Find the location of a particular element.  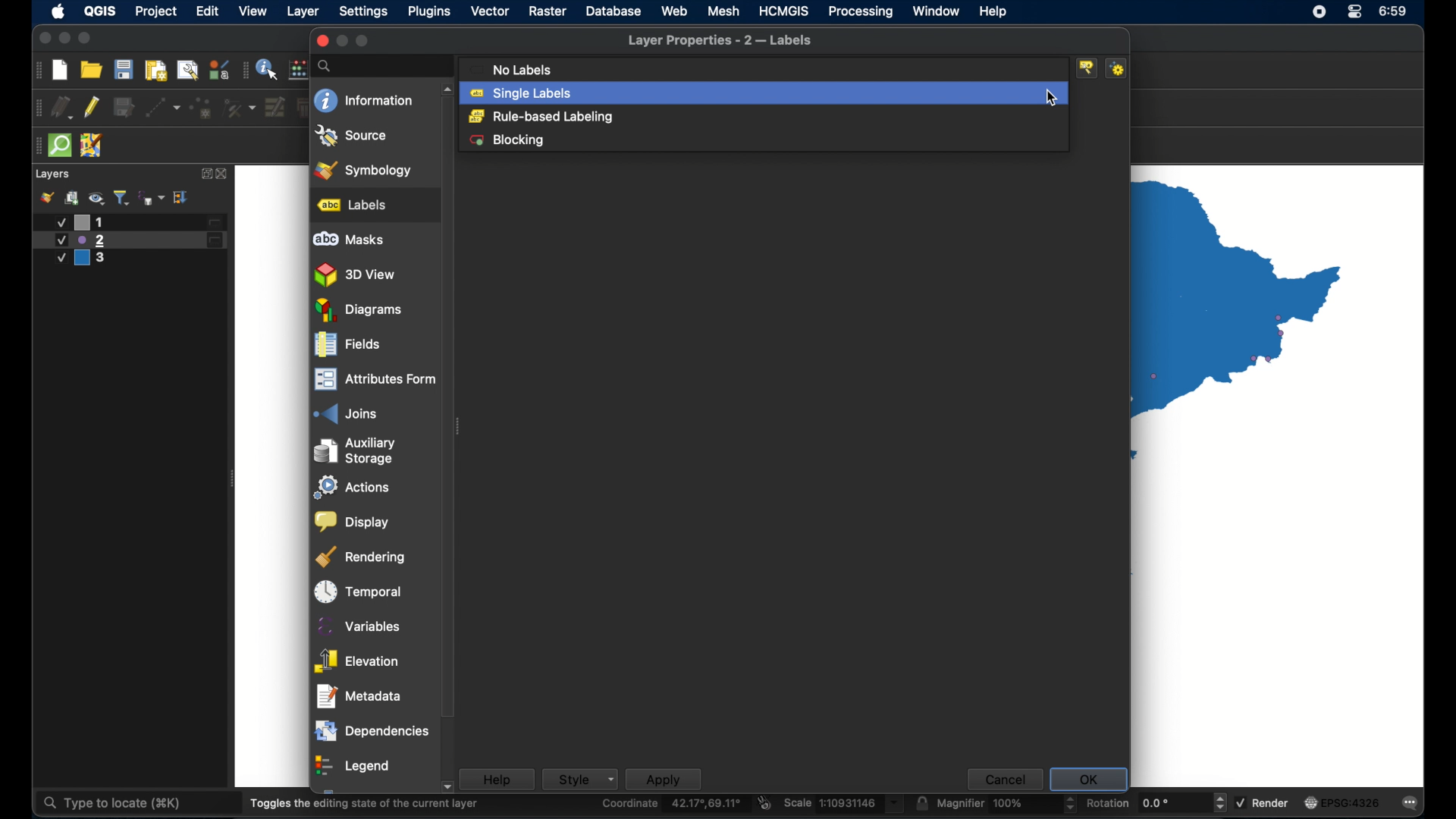

cursor is located at coordinates (1059, 80).